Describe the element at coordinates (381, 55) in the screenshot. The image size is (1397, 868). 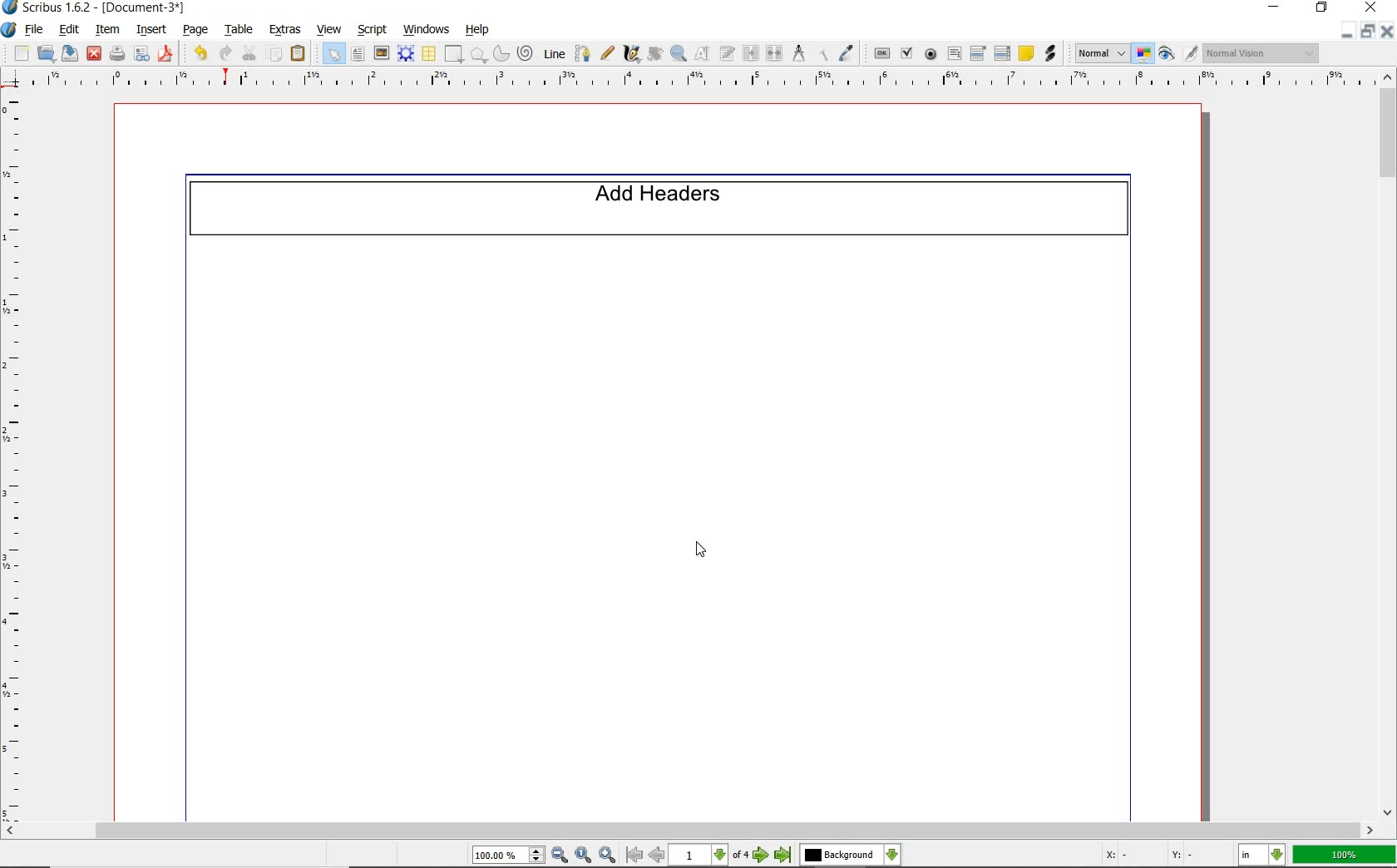
I see `image frame` at that location.